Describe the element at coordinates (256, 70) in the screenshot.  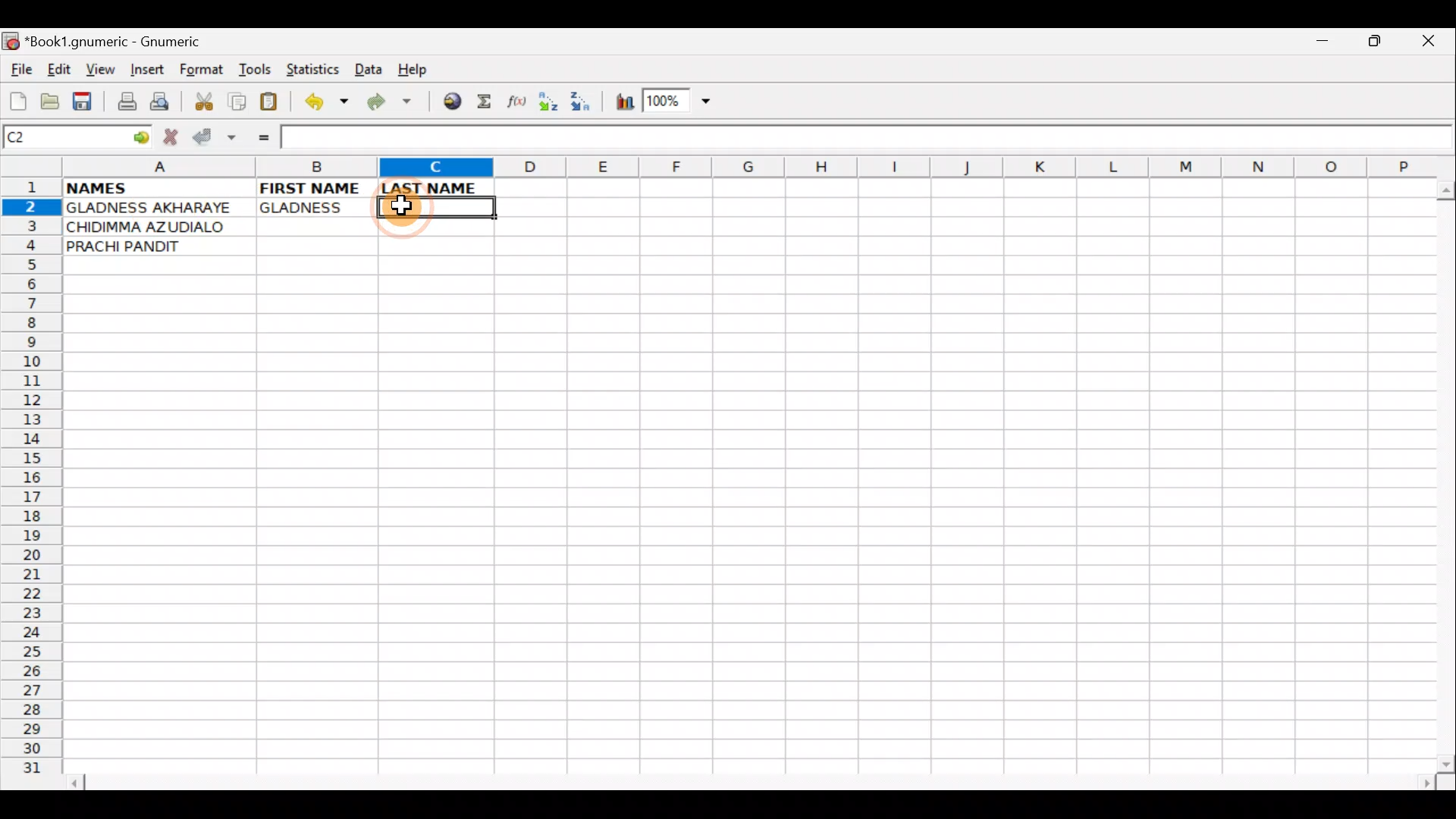
I see `Tools` at that location.